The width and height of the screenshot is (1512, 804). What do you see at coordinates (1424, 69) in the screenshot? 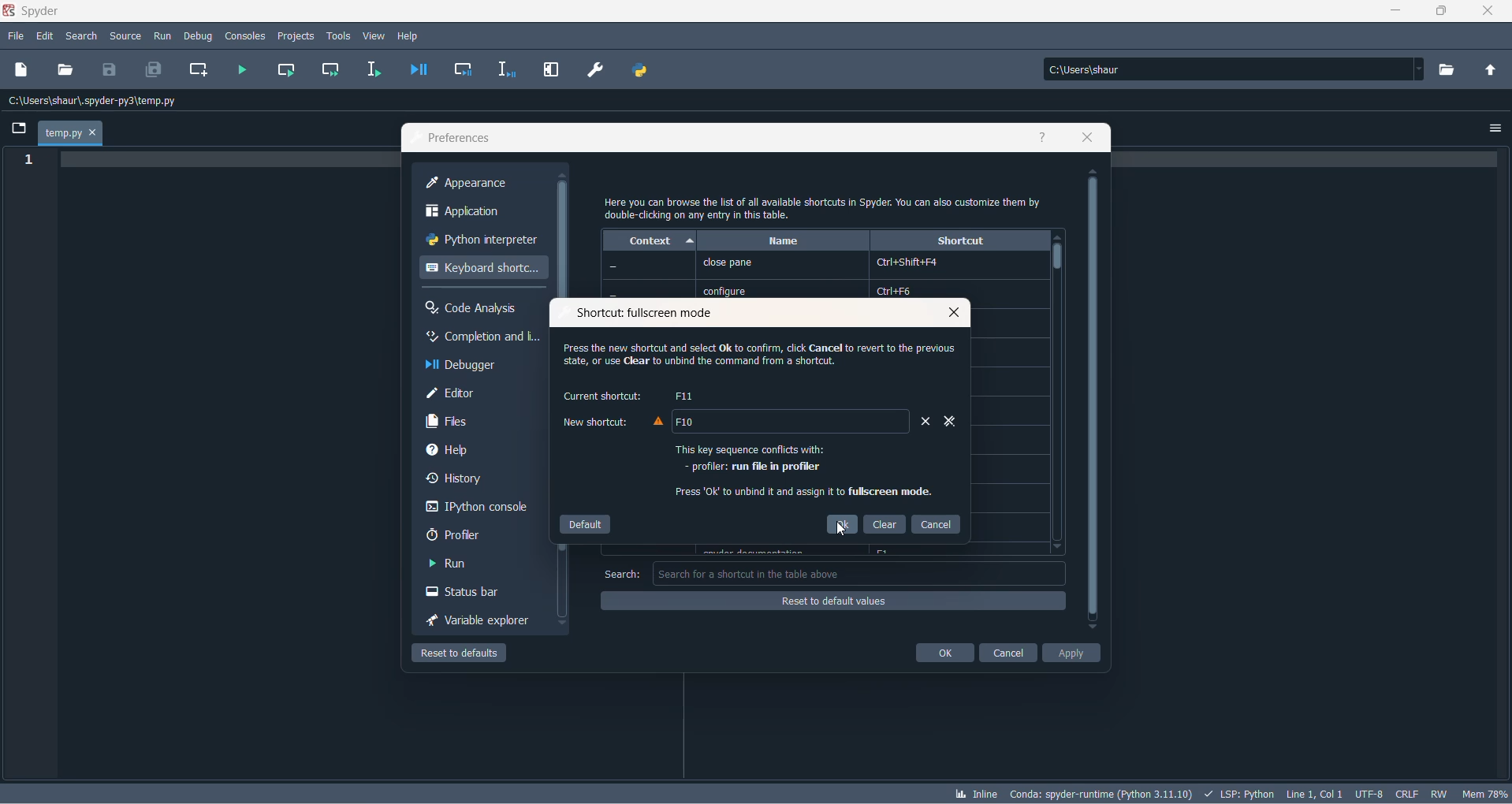
I see `path dropdown` at bounding box center [1424, 69].